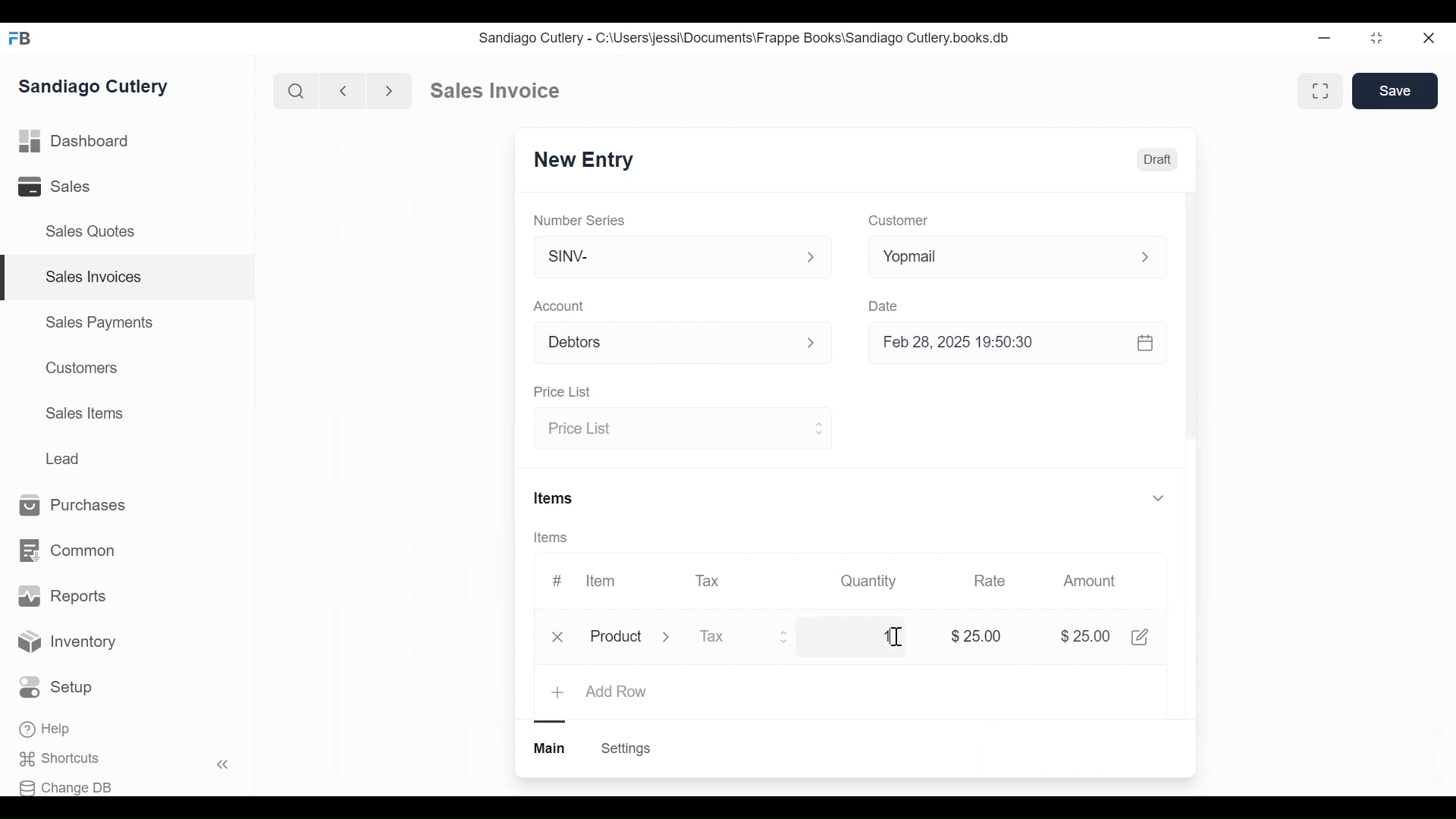 This screenshot has width=1456, height=819. I want to click on v, so click(1159, 499).